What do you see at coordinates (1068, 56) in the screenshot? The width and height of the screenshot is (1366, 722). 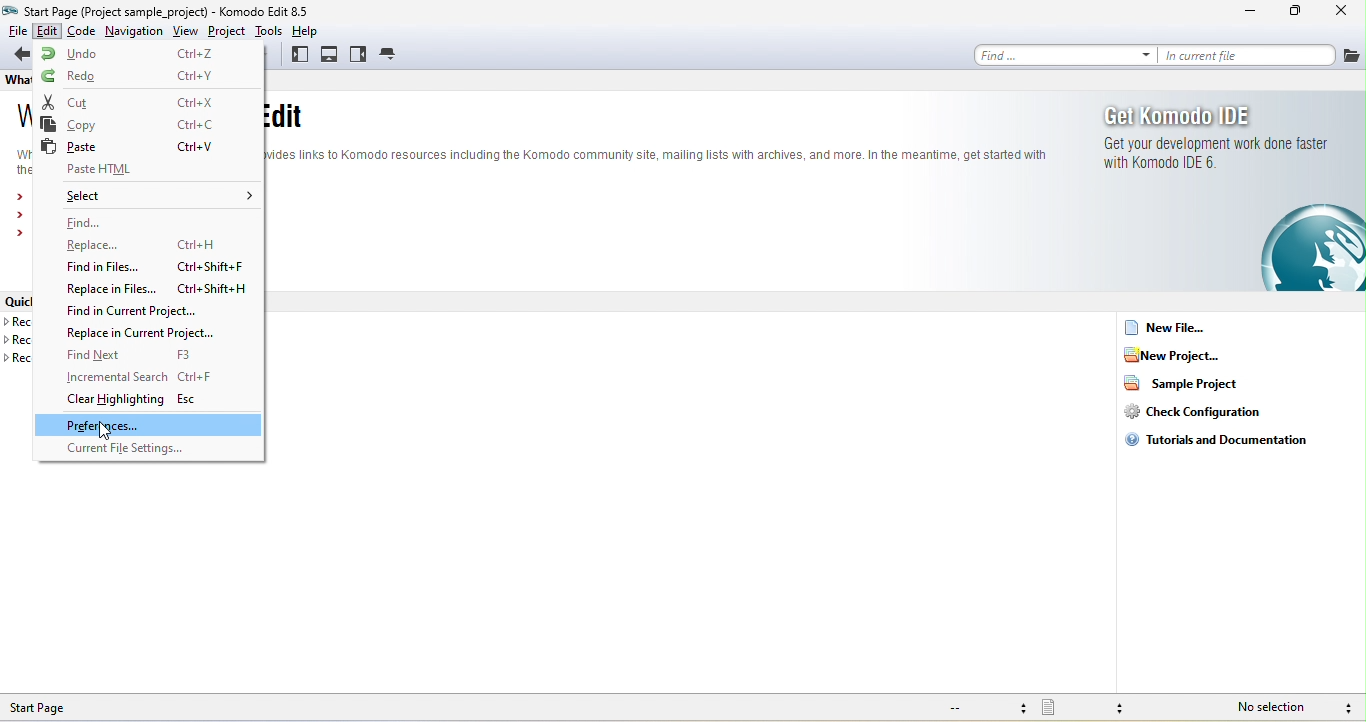 I see `find` at bounding box center [1068, 56].